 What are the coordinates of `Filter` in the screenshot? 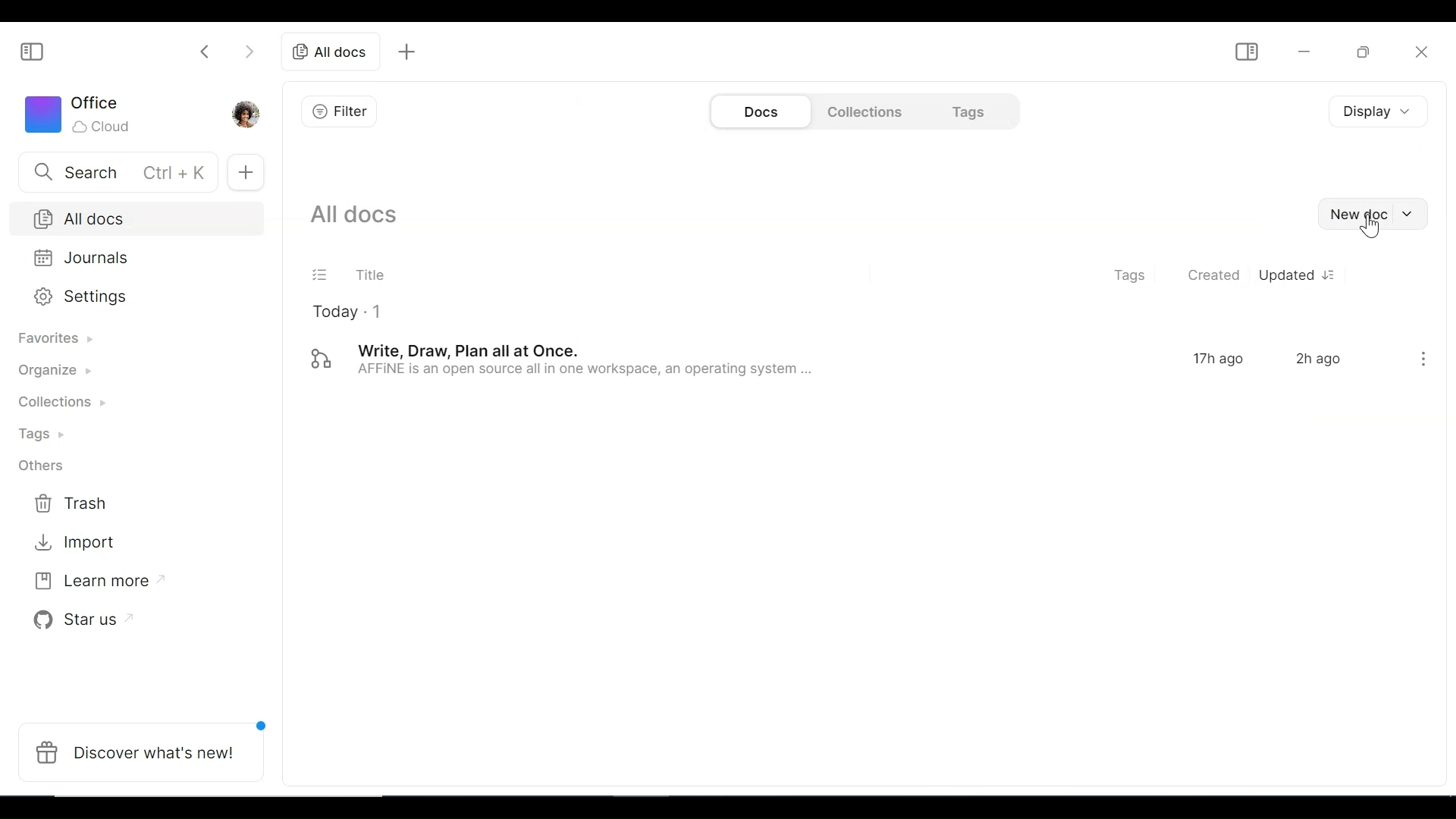 It's located at (344, 111).